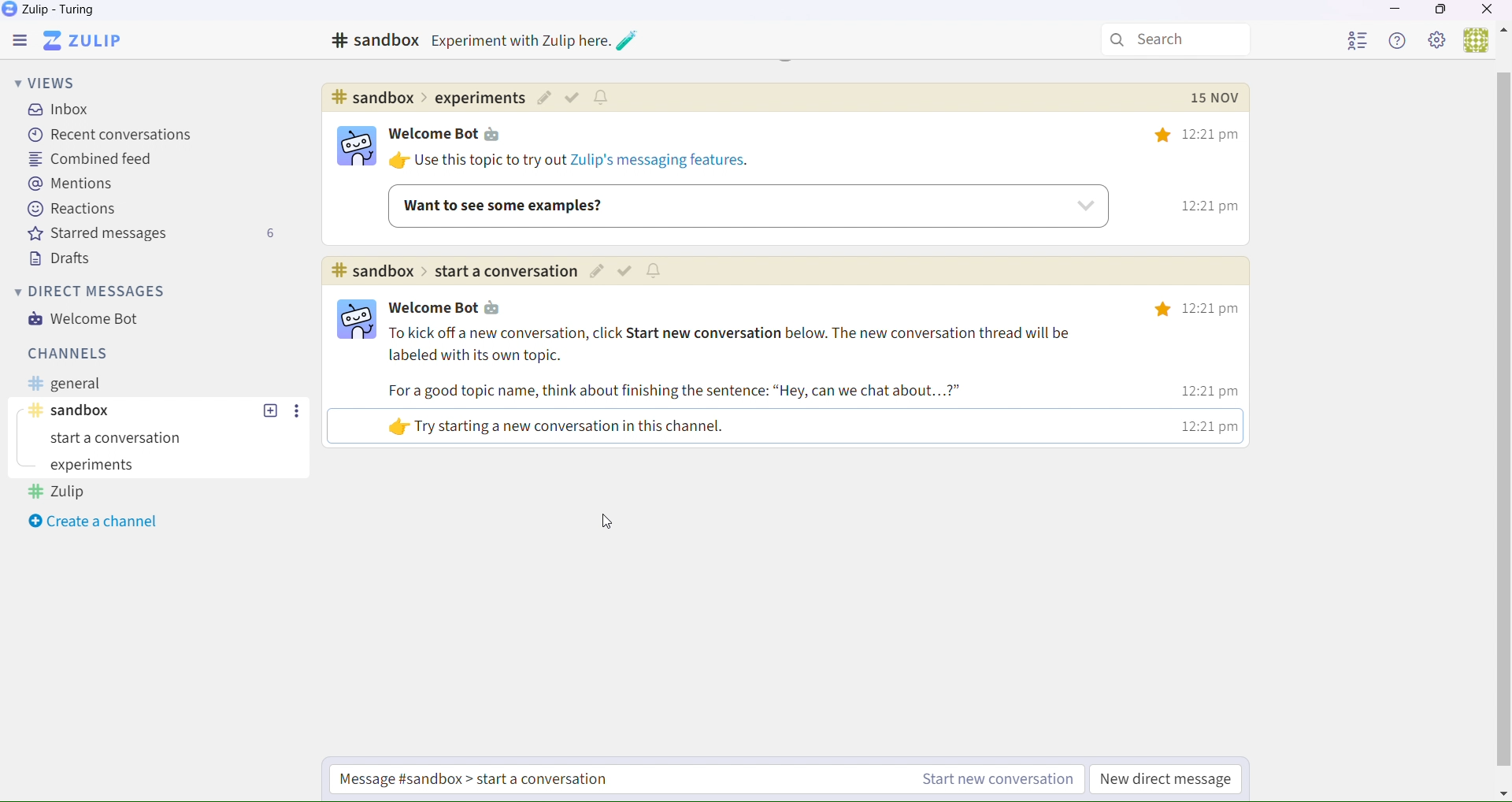 The image size is (1512, 802). What do you see at coordinates (626, 271) in the screenshot?
I see `` at bounding box center [626, 271].